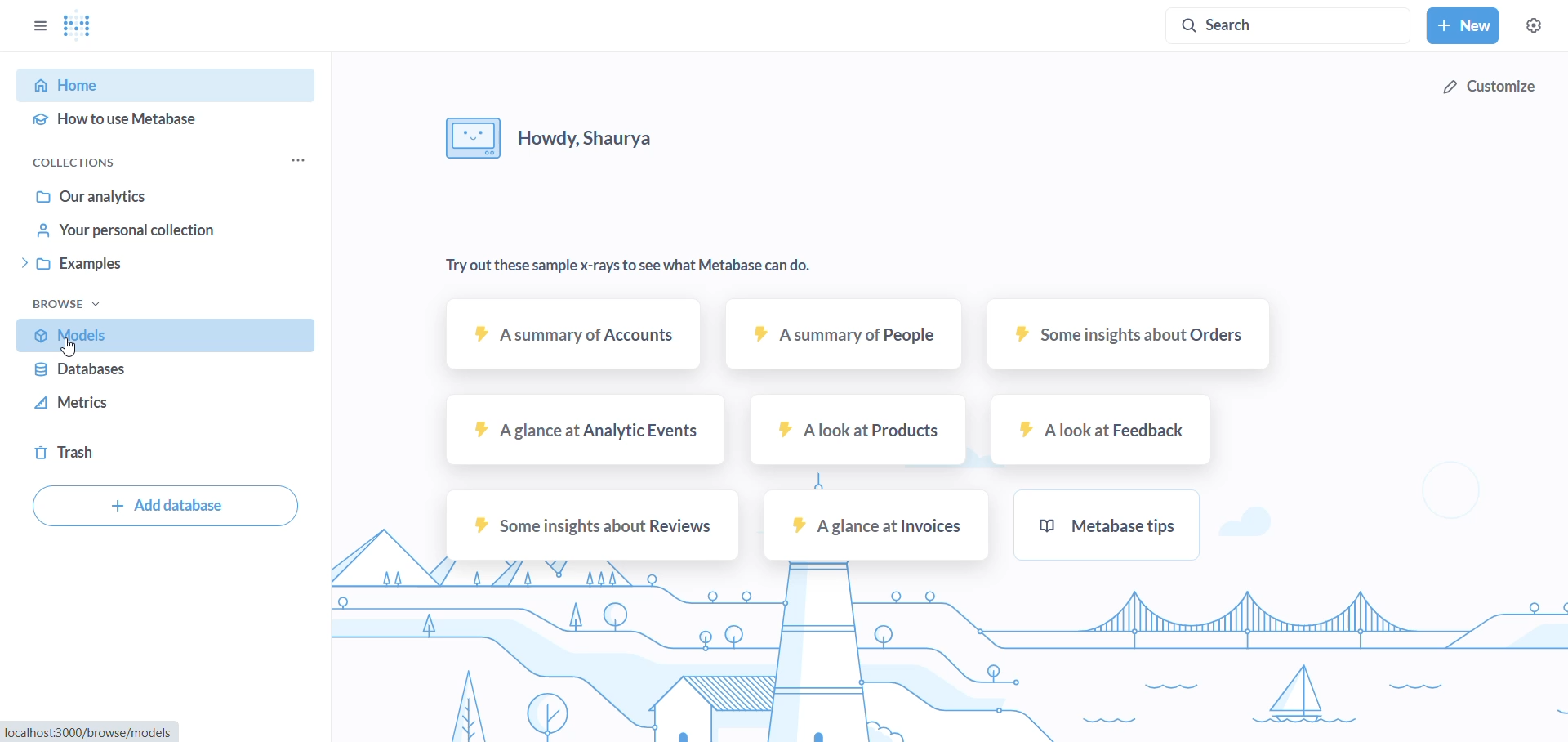 This screenshot has height=742, width=1568. What do you see at coordinates (153, 199) in the screenshot?
I see `our analytics` at bounding box center [153, 199].